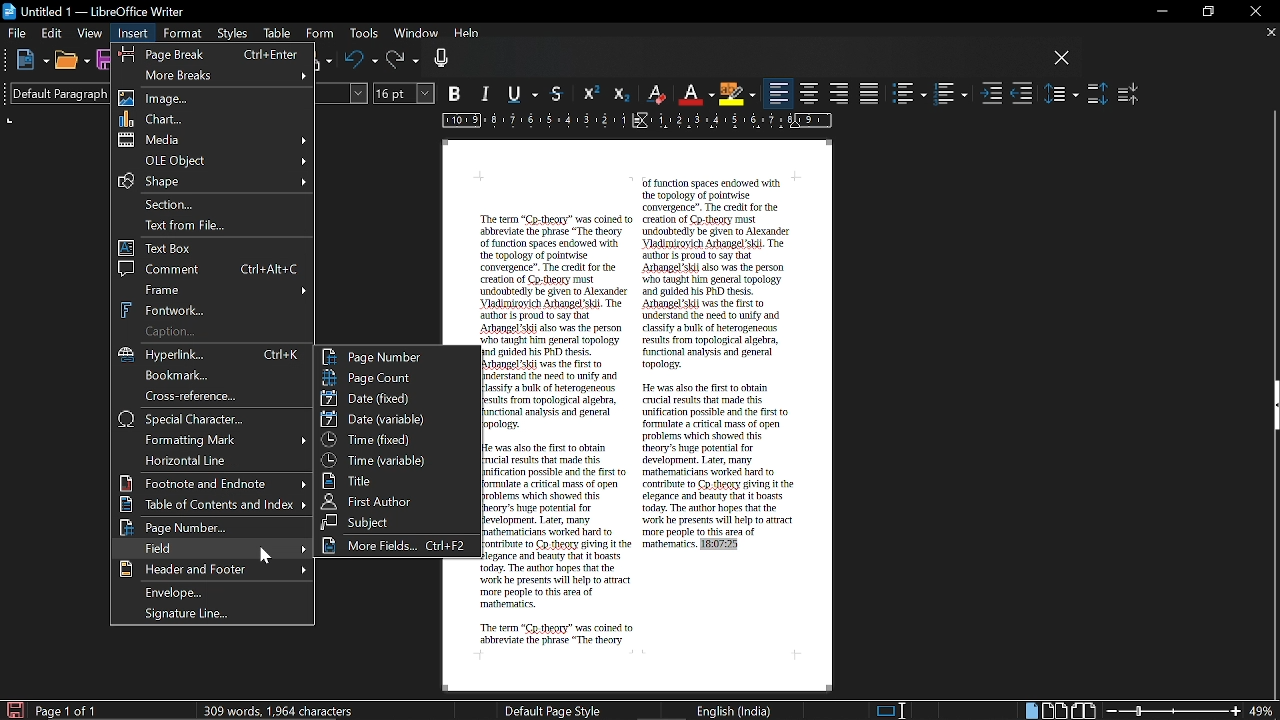 This screenshot has width=1280, height=720. I want to click on Caption, so click(211, 332).